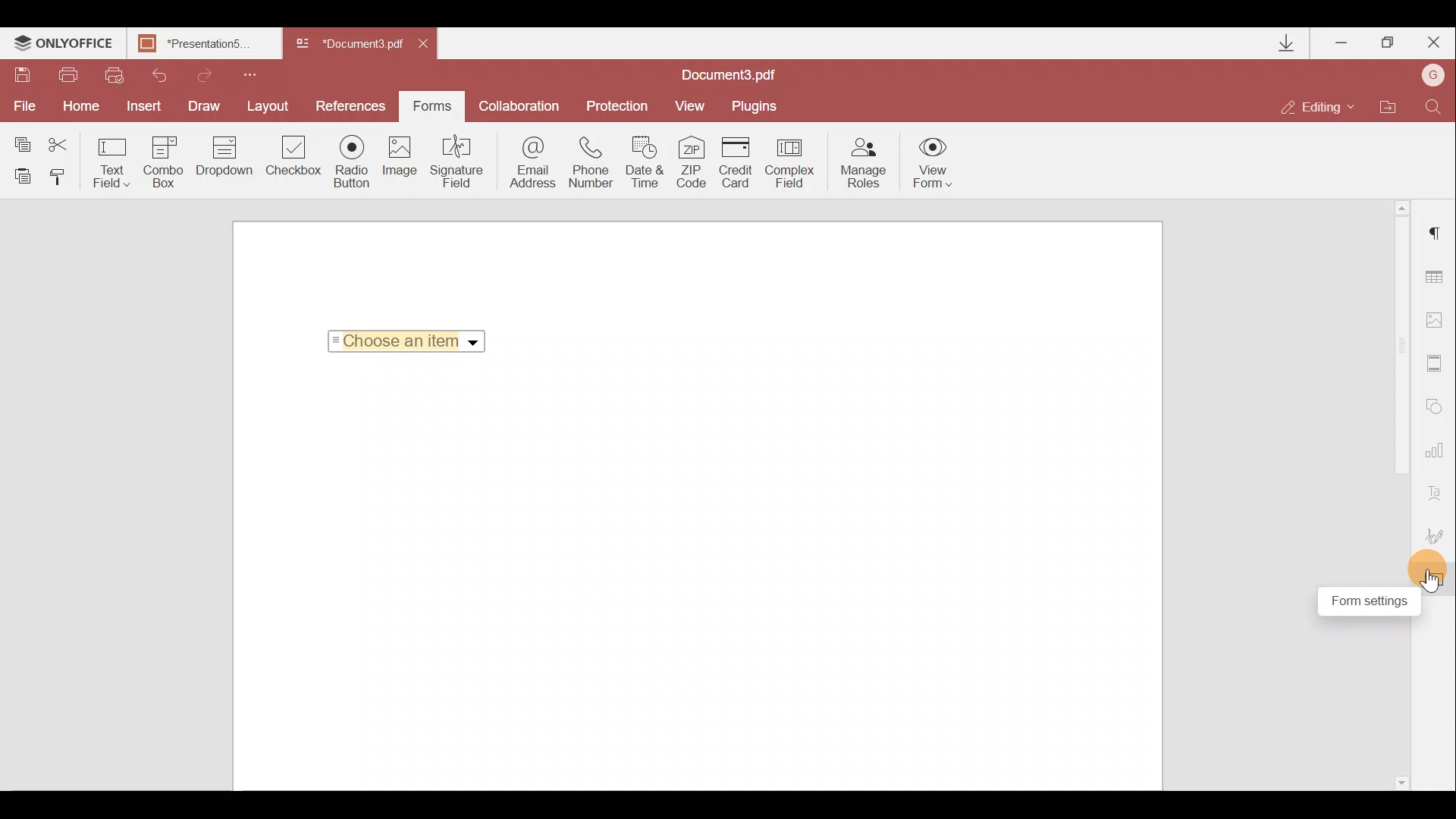 Image resolution: width=1456 pixels, height=819 pixels. Describe the element at coordinates (78, 106) in the screenshot. I see `Home` at that location.